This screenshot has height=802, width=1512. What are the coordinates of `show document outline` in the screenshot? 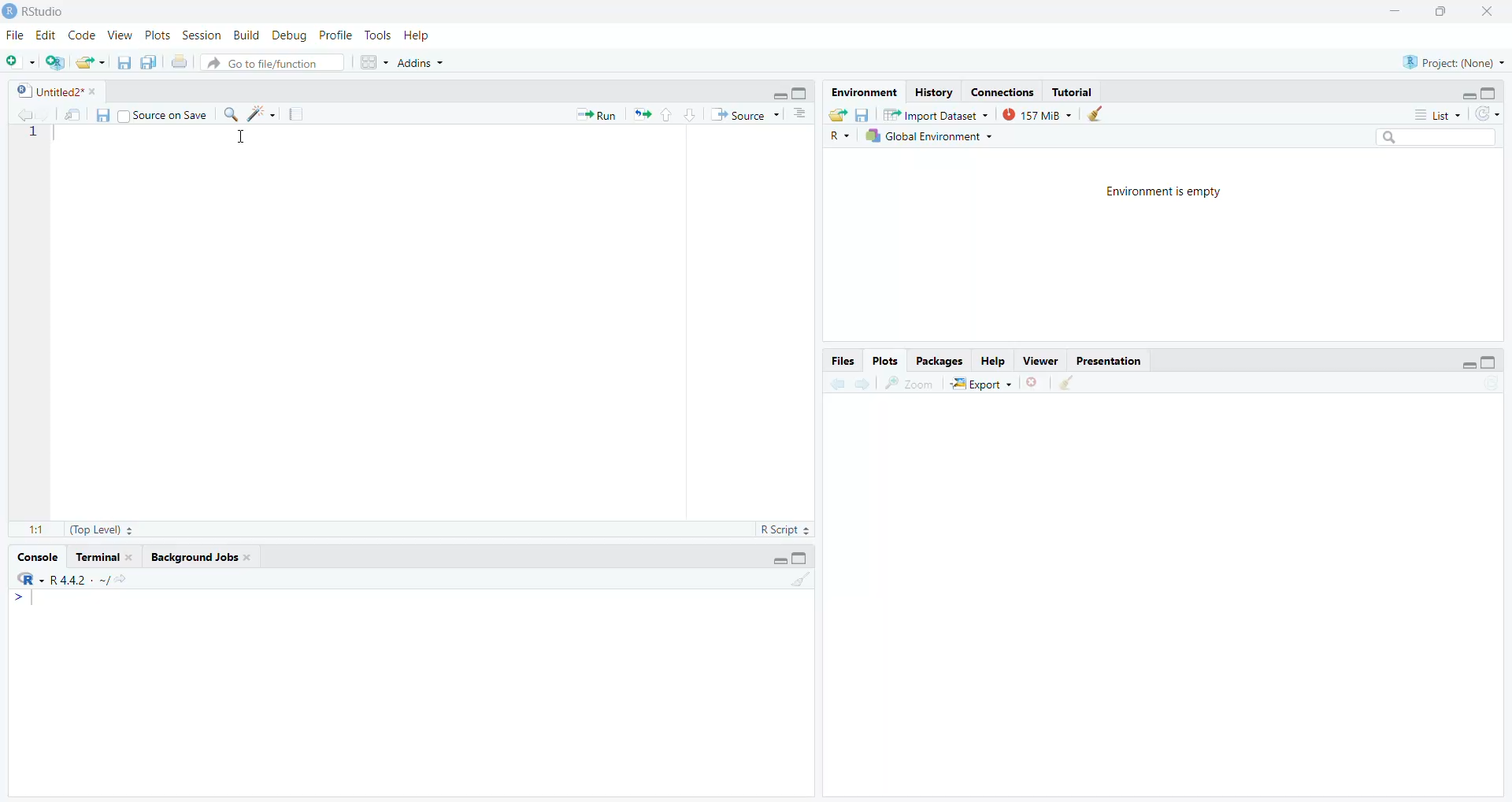 It's located at (800, 114).